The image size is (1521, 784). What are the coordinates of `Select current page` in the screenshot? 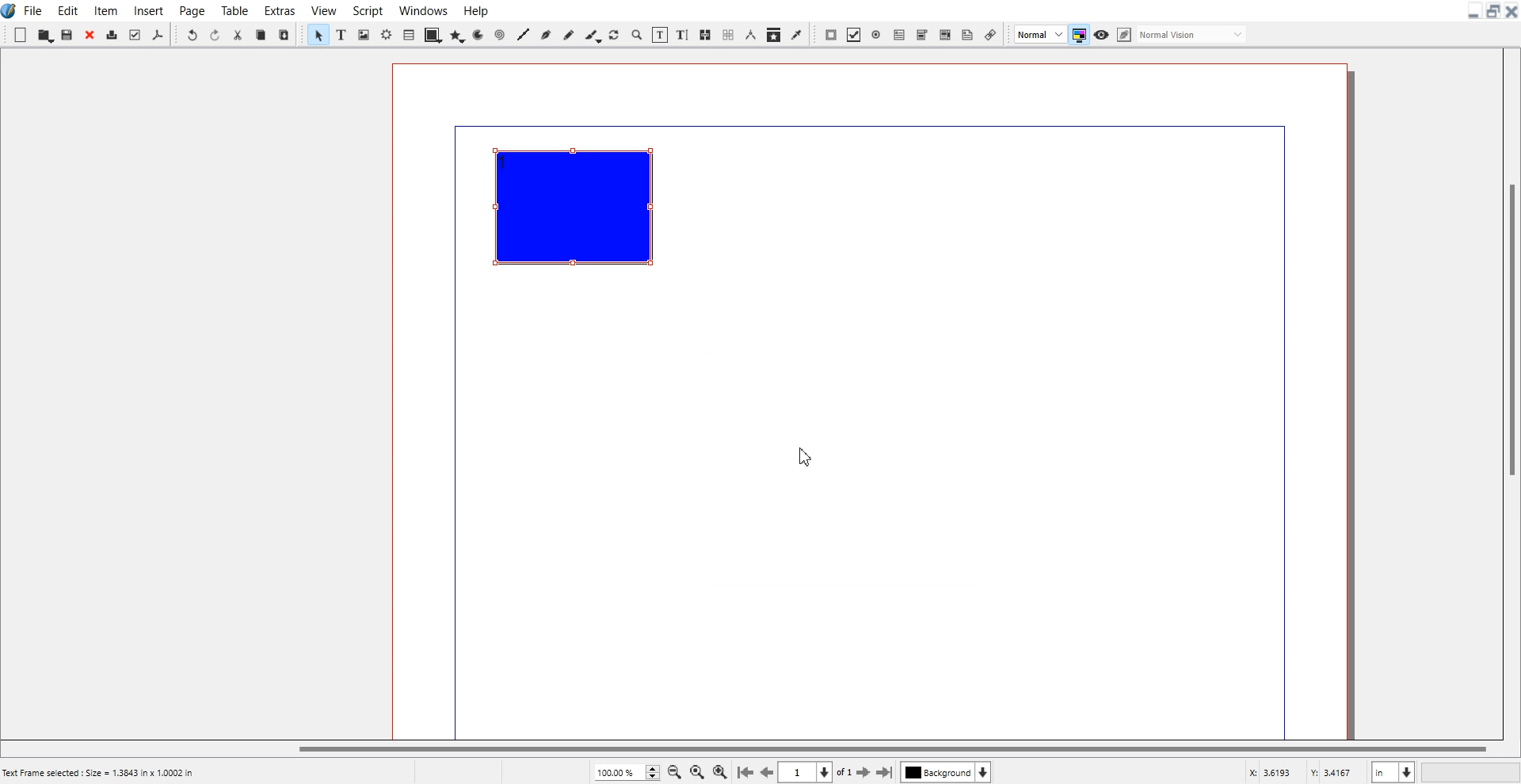 It's located at (814, 772).